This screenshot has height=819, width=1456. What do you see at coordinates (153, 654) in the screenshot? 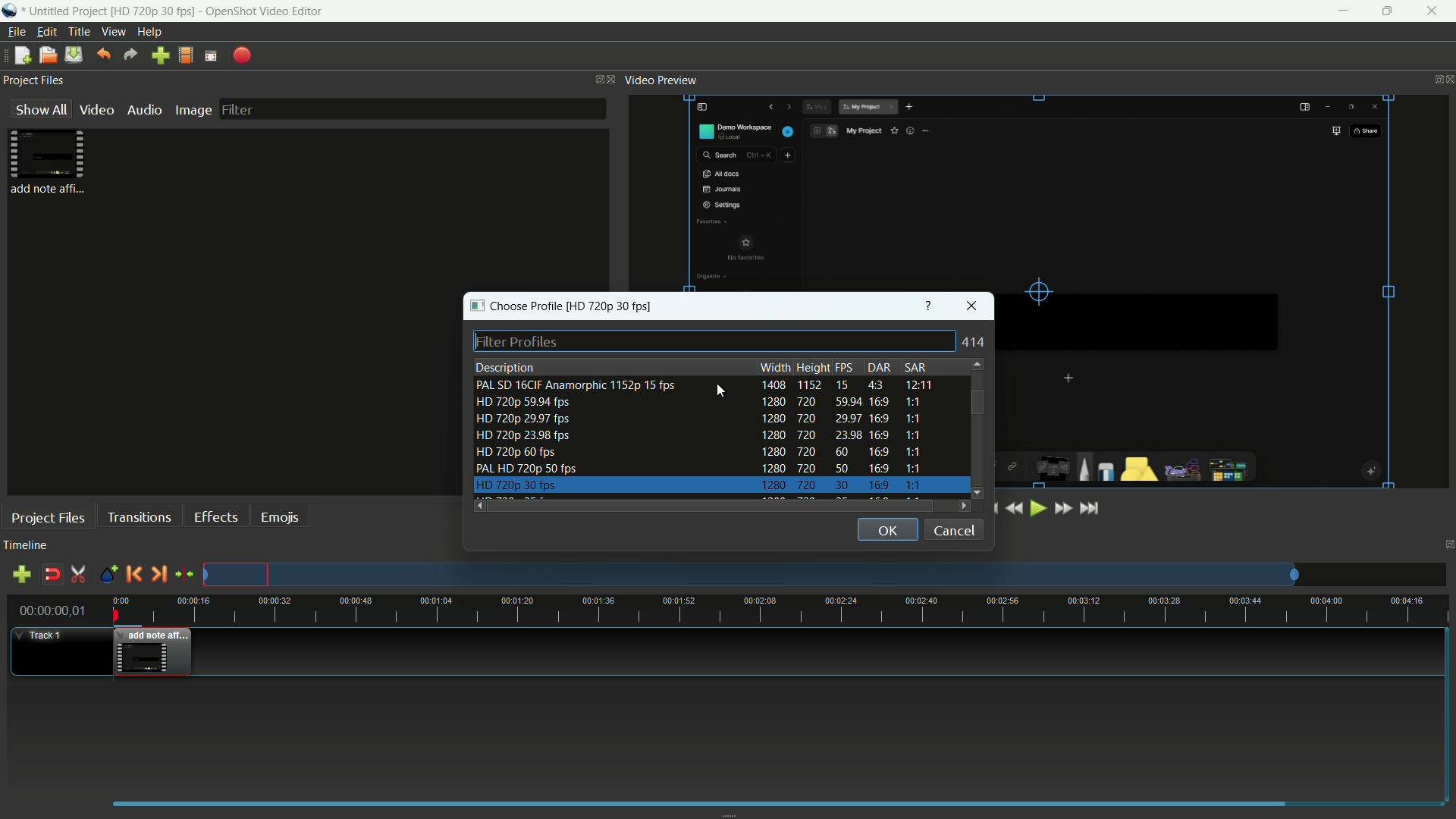
I see `video in timeline` at bounding box center [153, 654].